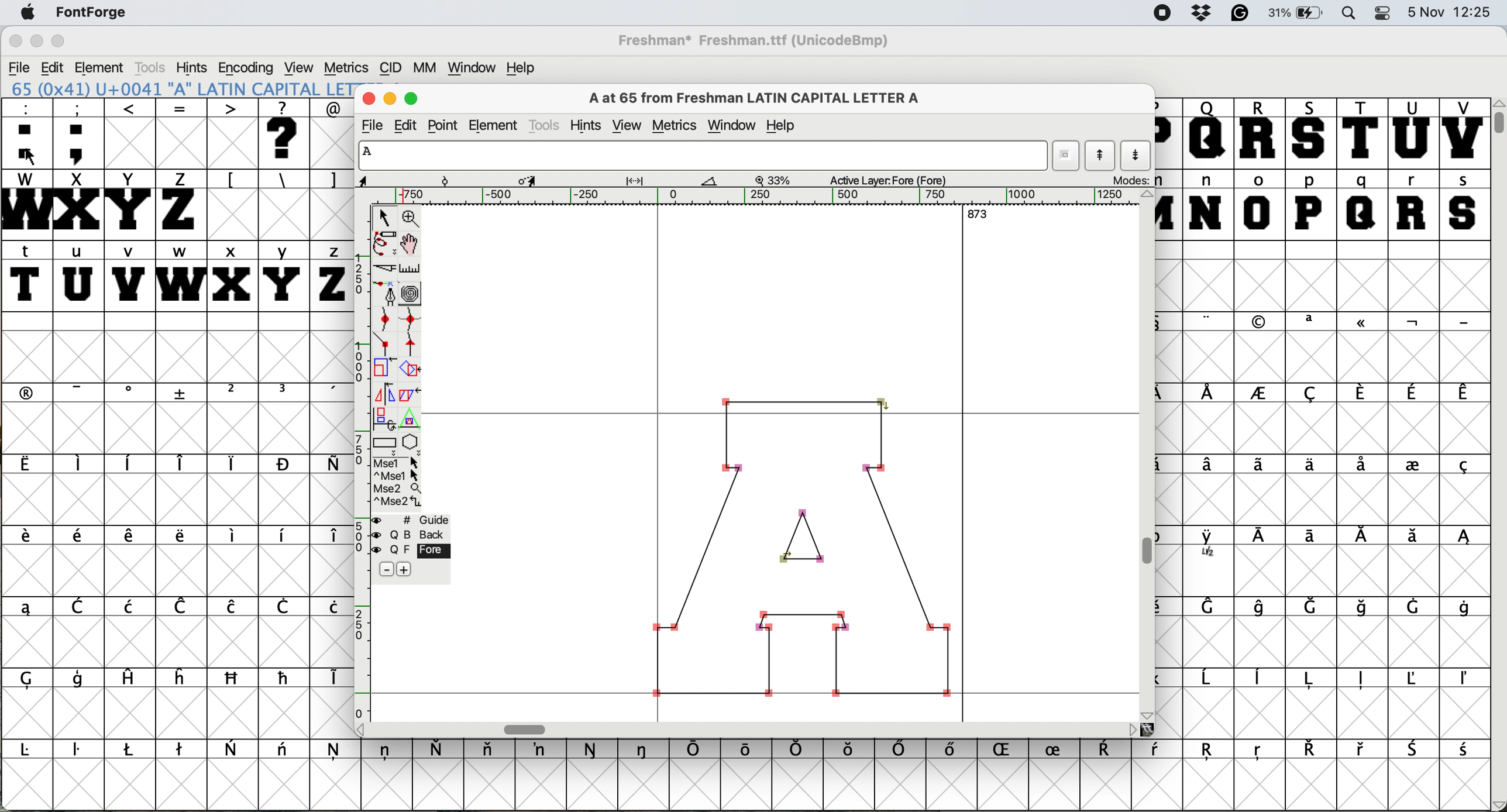 This screenshot has height=812, width=1507. Describe the element at coordinates (1498, 455) in the screenshot. I see `vertical scroll bar` at that location.